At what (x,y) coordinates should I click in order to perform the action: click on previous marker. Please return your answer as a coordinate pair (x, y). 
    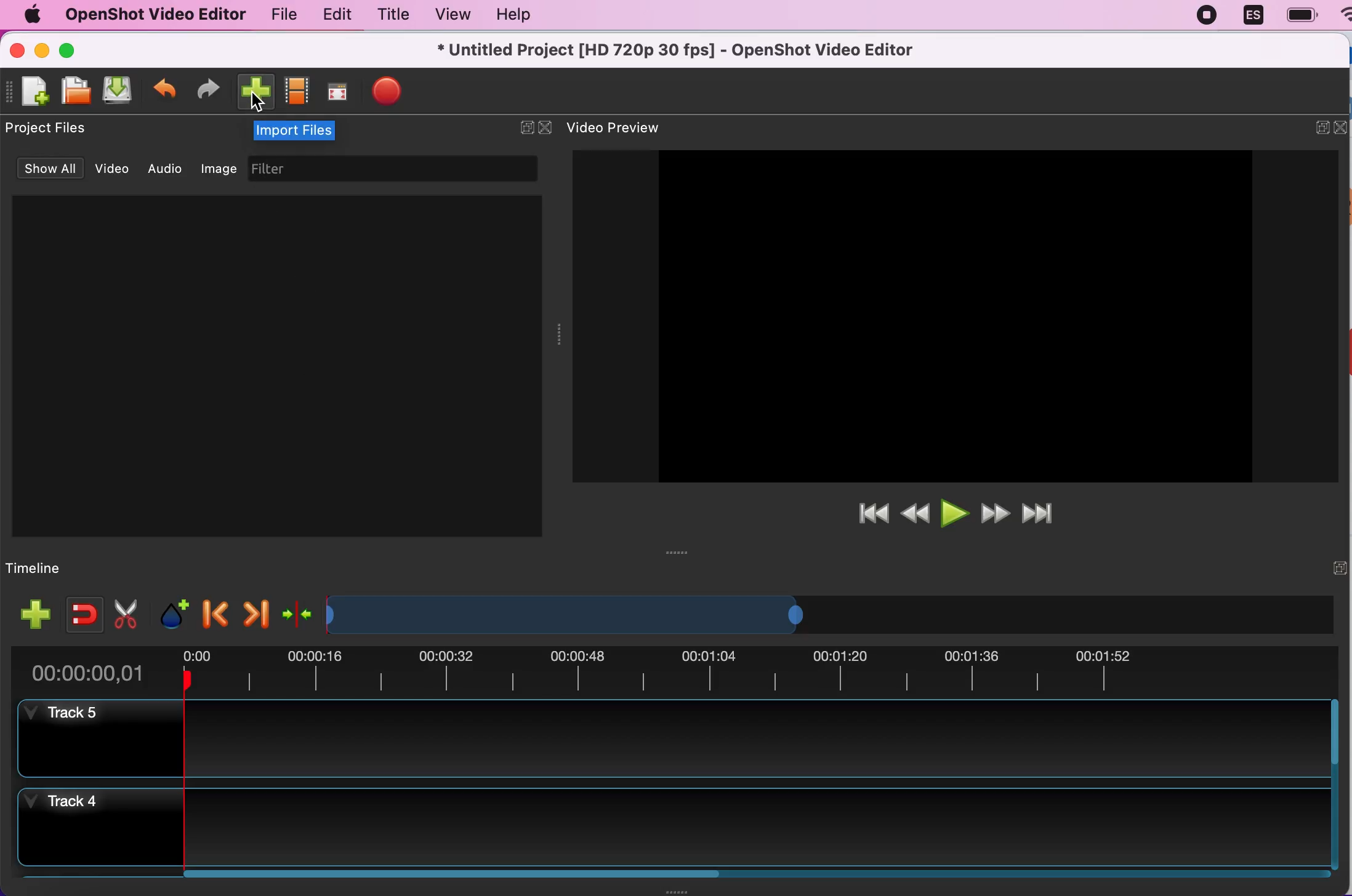
    Looking at the image, I should click on (213, 612).